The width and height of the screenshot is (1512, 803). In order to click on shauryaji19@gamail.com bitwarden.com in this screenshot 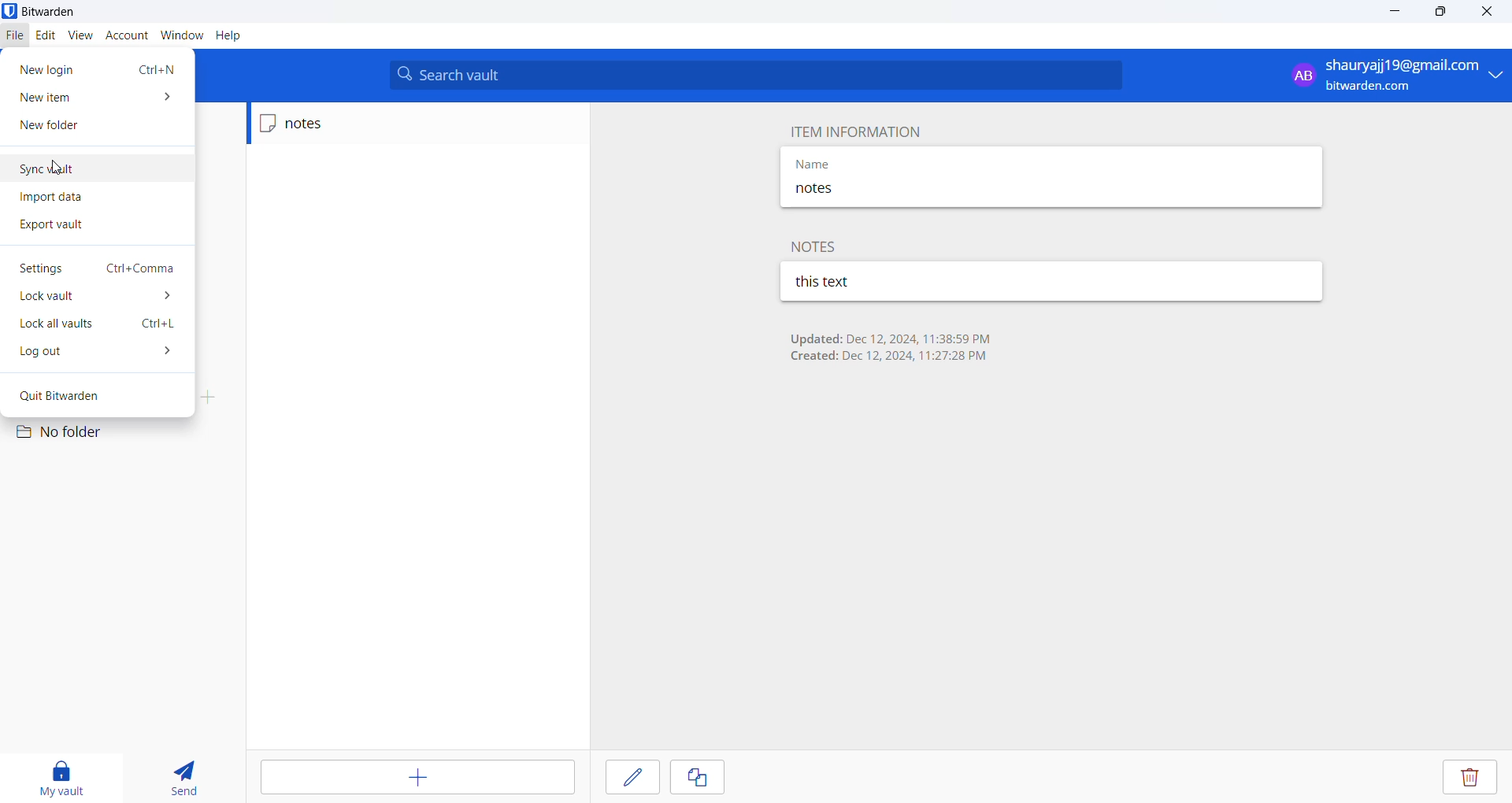, I will do `click(1398, 77)`.